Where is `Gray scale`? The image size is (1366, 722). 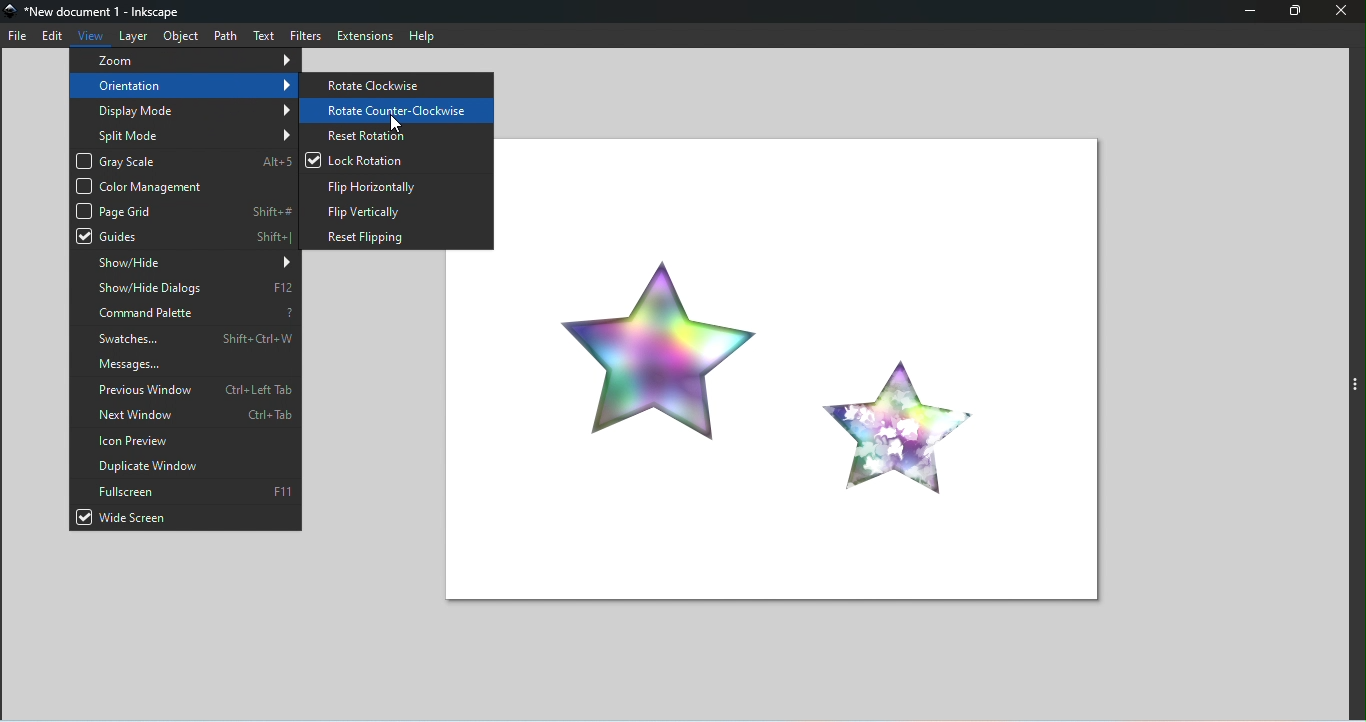 Gray scale is located at coordinates (183, 159).